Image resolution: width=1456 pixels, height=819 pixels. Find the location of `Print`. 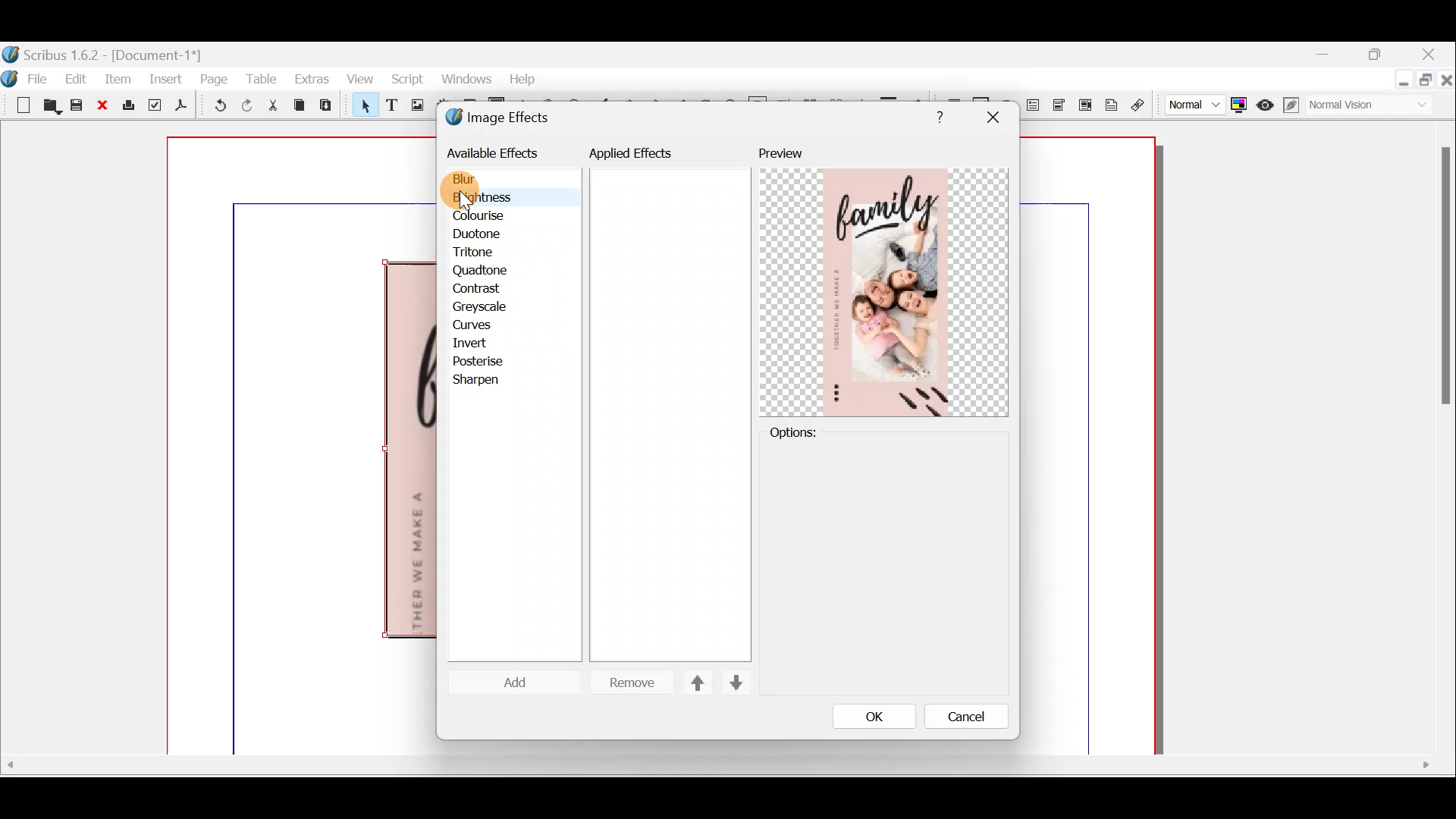

Print is located at coordinates (130, 106).